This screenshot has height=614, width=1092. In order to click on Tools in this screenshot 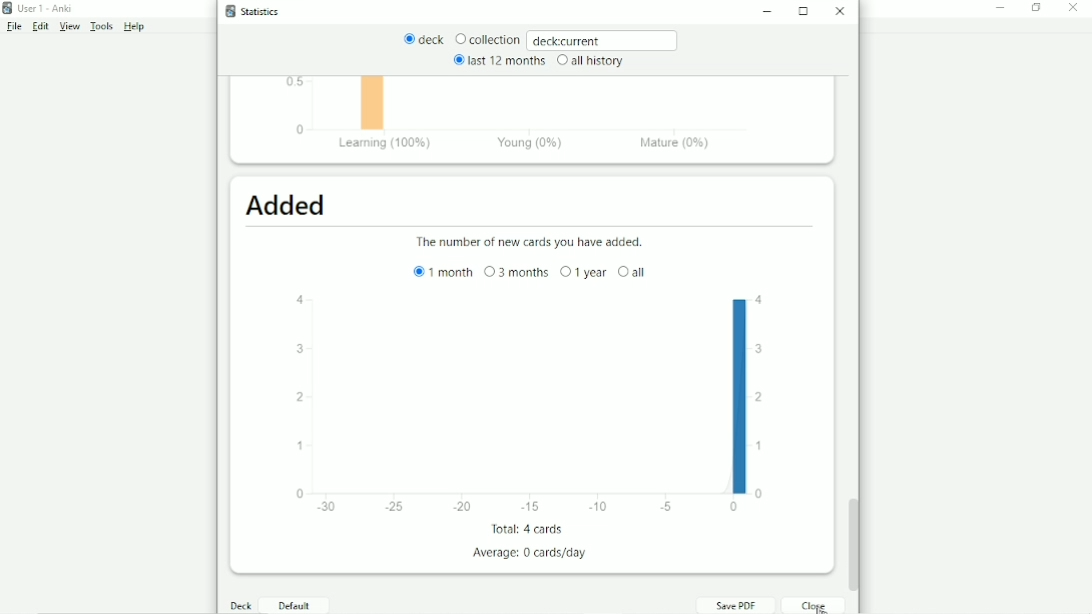, I will do `click(103, 27)`.